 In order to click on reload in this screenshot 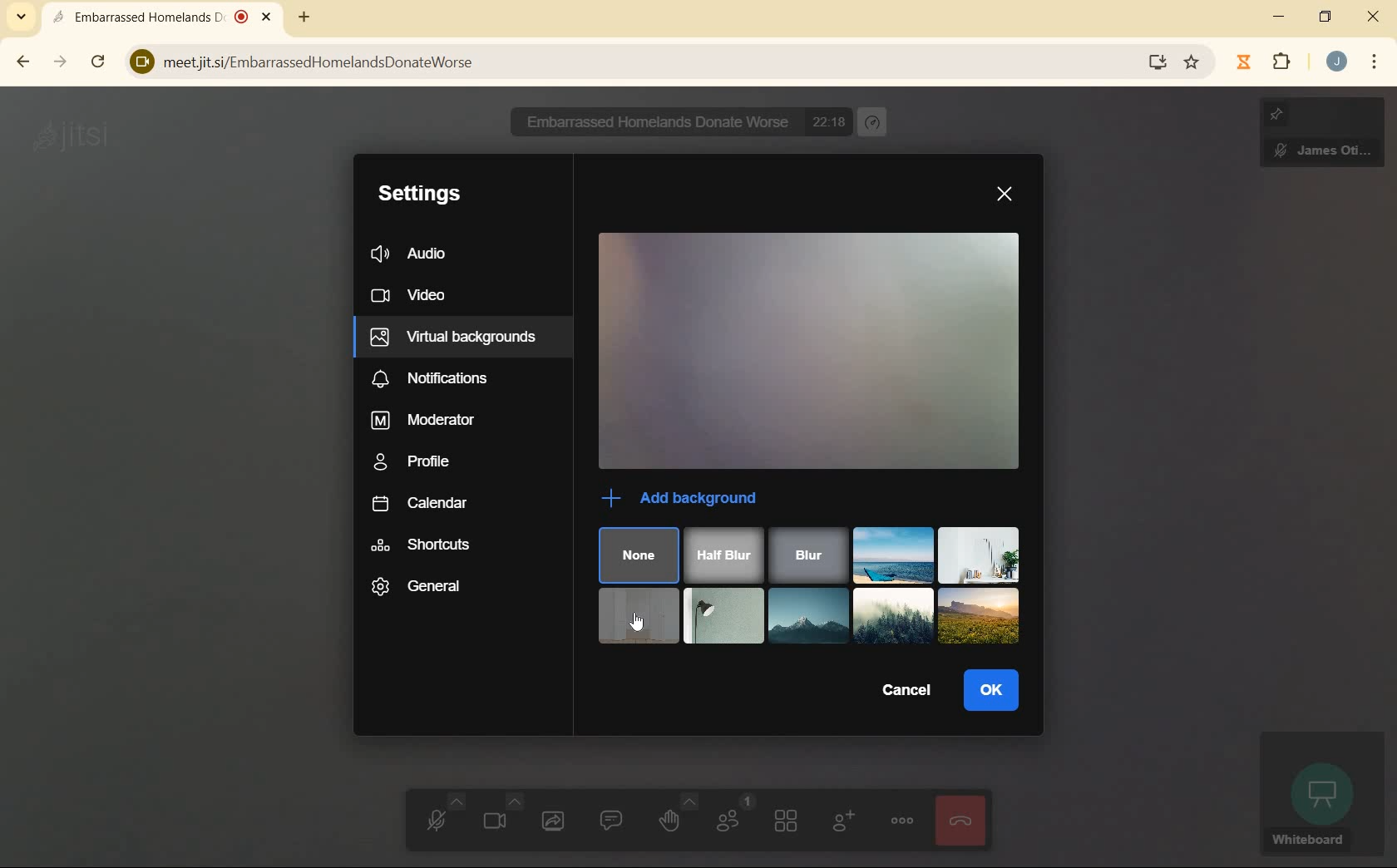, I will do `click(100, 62)`.